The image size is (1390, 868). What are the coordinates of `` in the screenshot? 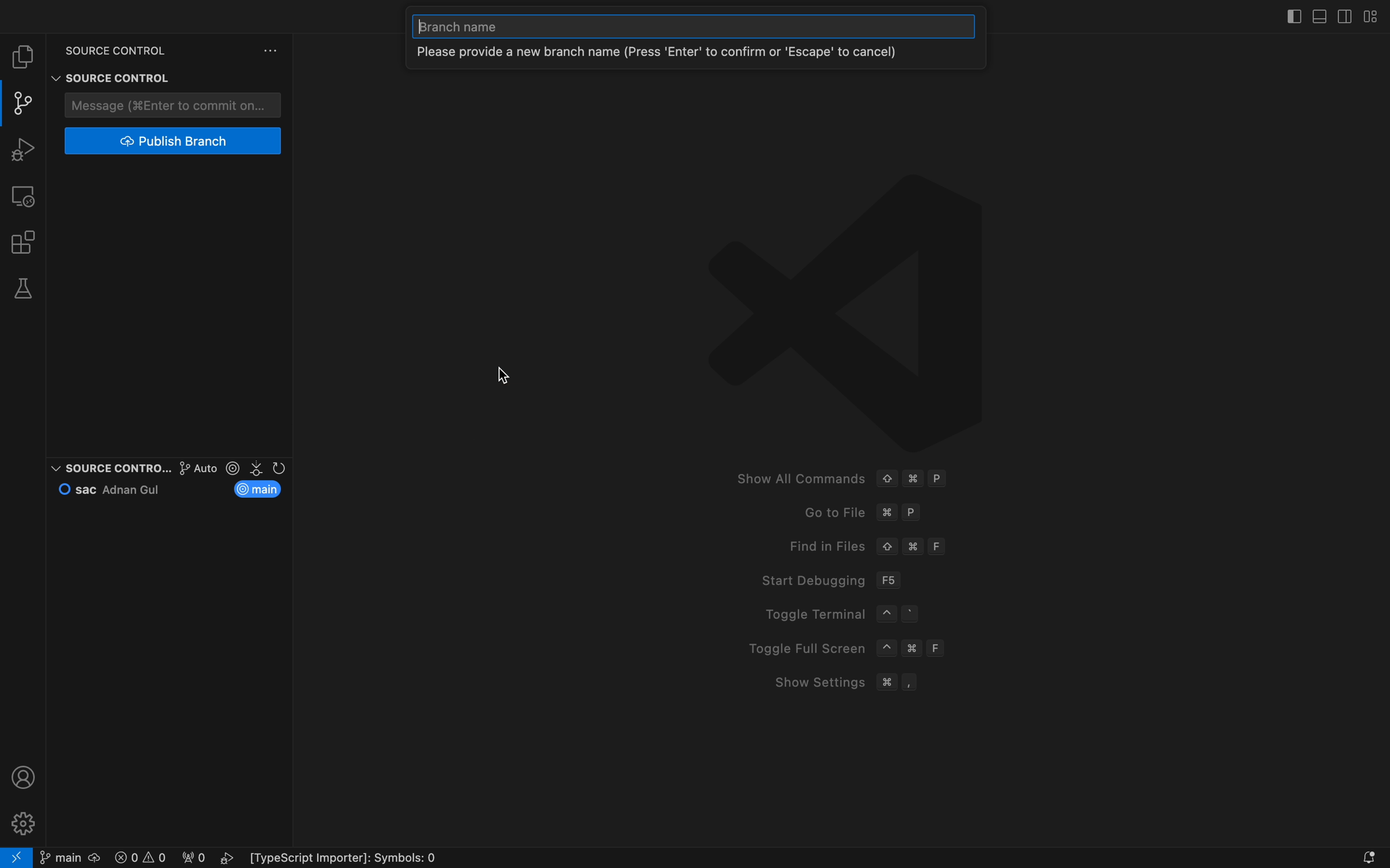 It's located at (283, 78).